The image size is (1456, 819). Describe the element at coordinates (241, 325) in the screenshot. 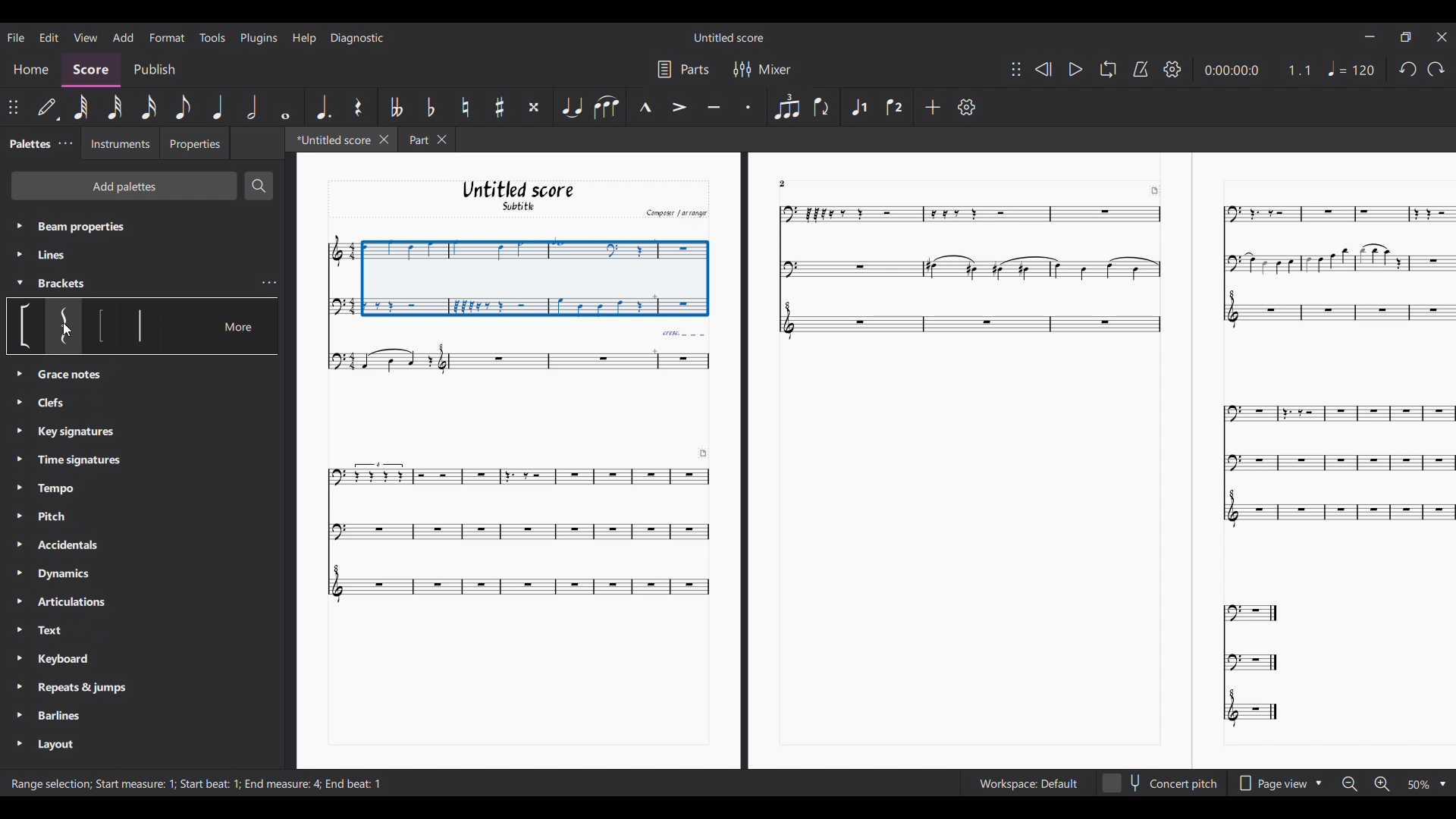

I see `More` at that location.